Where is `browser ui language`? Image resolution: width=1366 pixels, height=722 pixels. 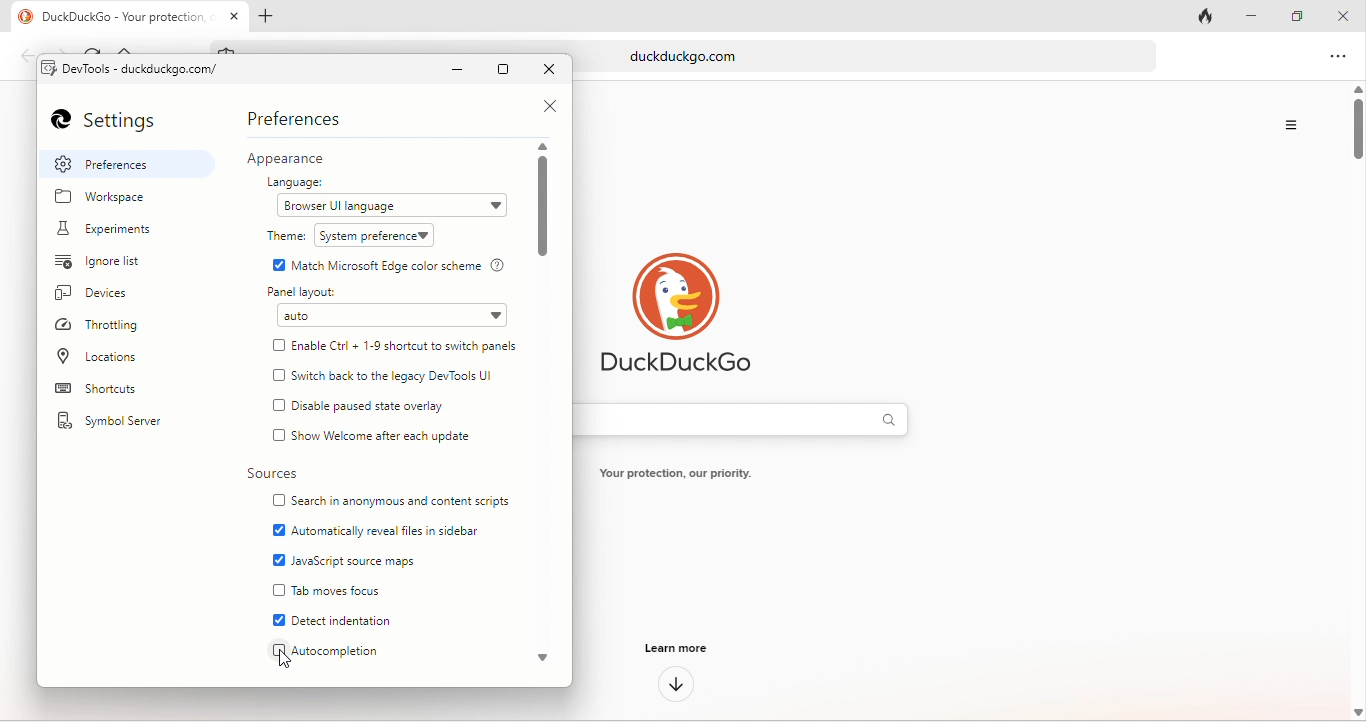
browser ui language is located at coordinates (389, 207).